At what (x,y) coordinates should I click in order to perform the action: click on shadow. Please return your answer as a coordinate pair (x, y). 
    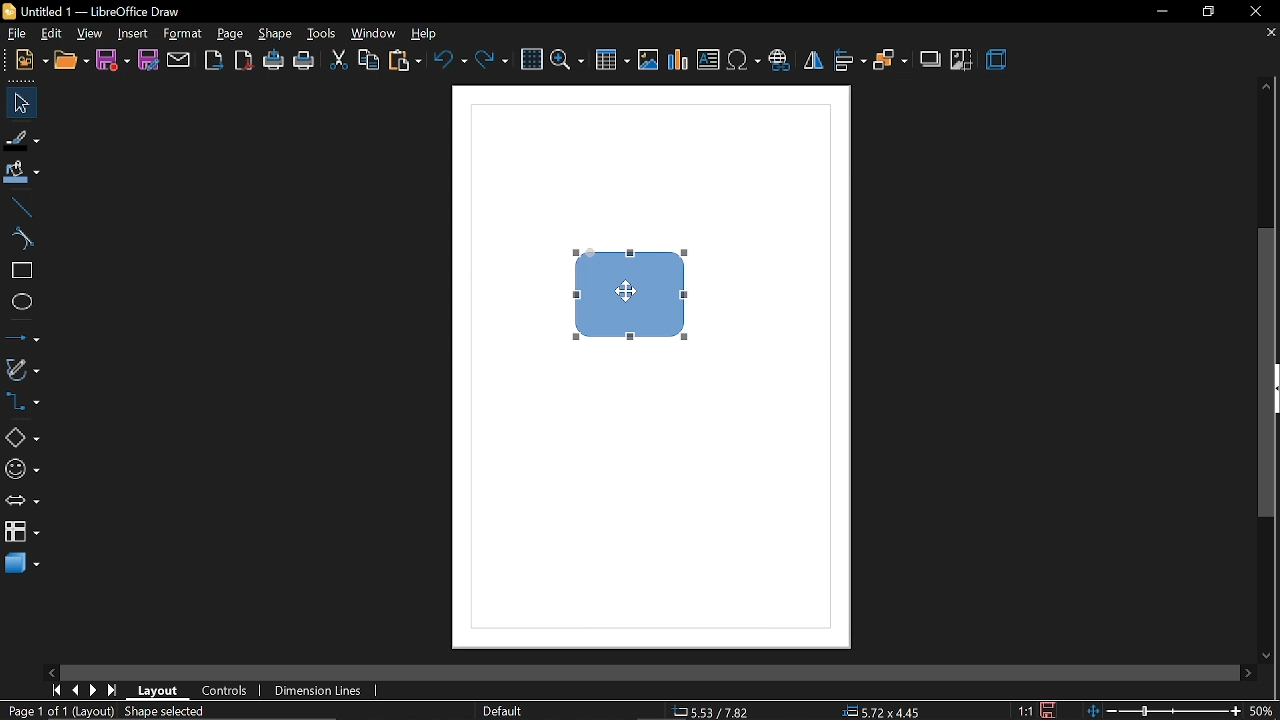
    Looking at the image, I should click on (929, 60).